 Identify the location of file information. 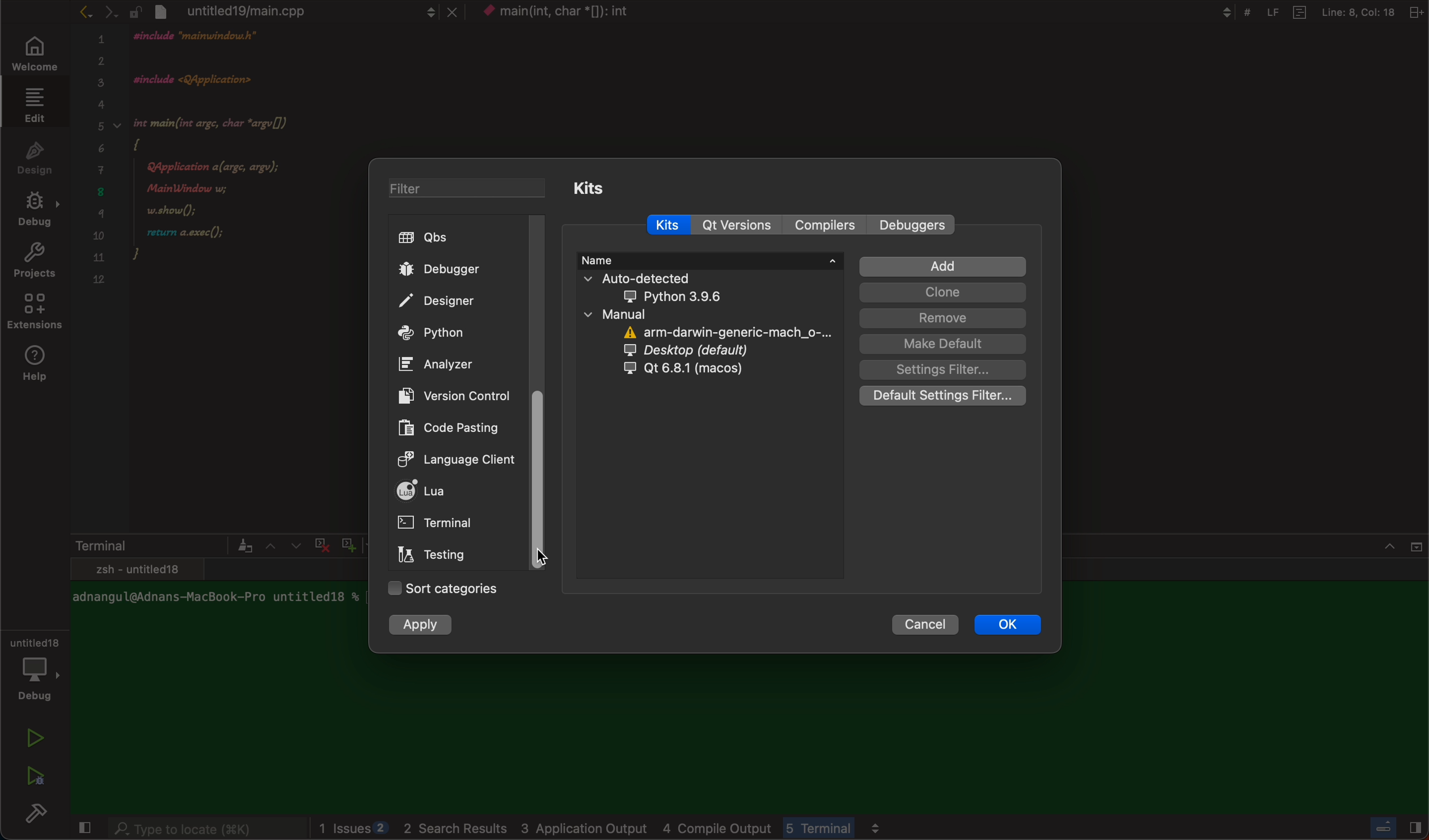
(1313, 12).